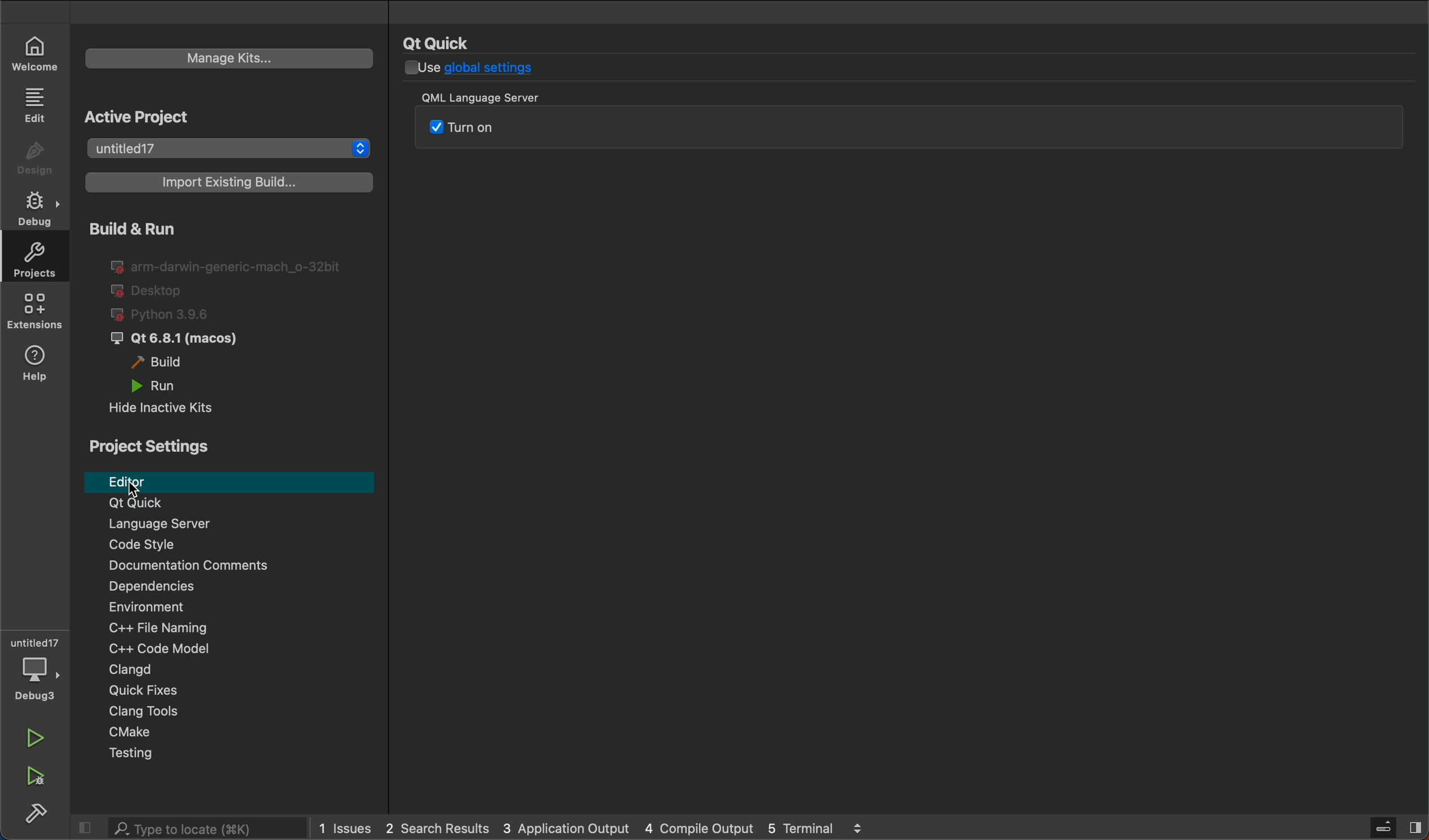 The image size is (1429, 840). What do you see at coordinates (236, 183) in the screenshot?
I see `import build` at bounding box center [236, 183].